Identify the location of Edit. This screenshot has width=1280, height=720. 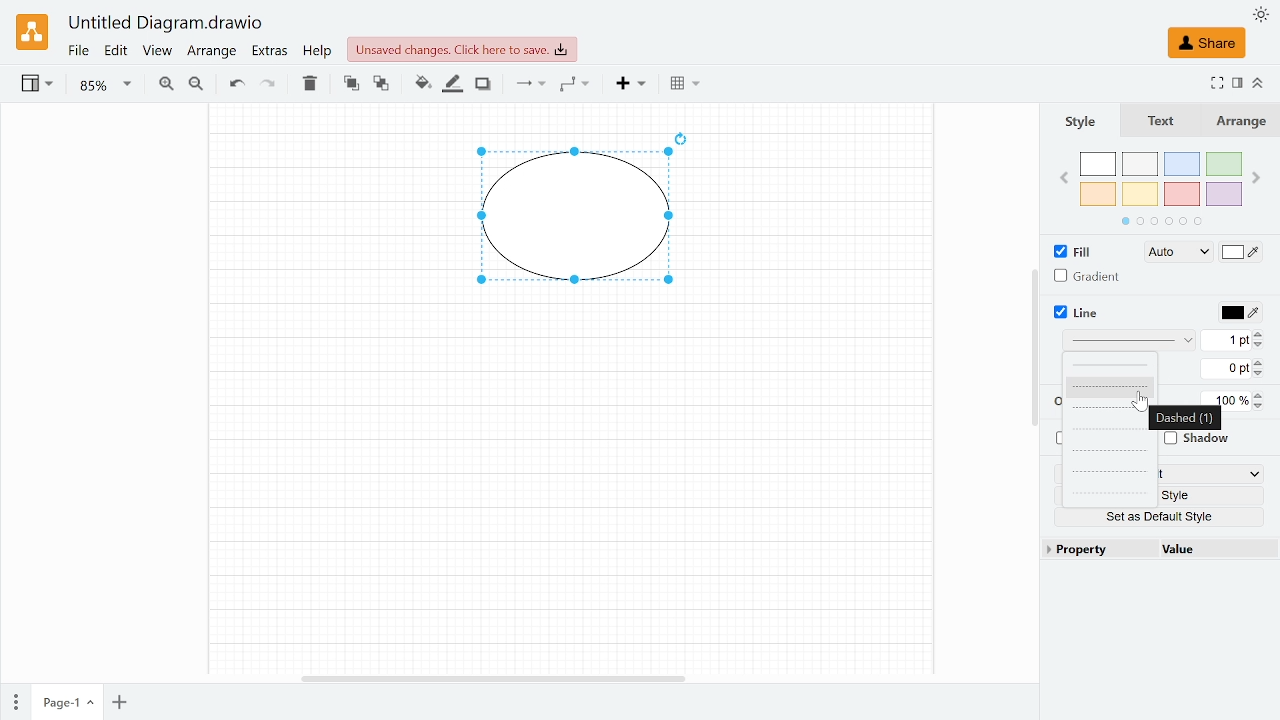
(115, 51).